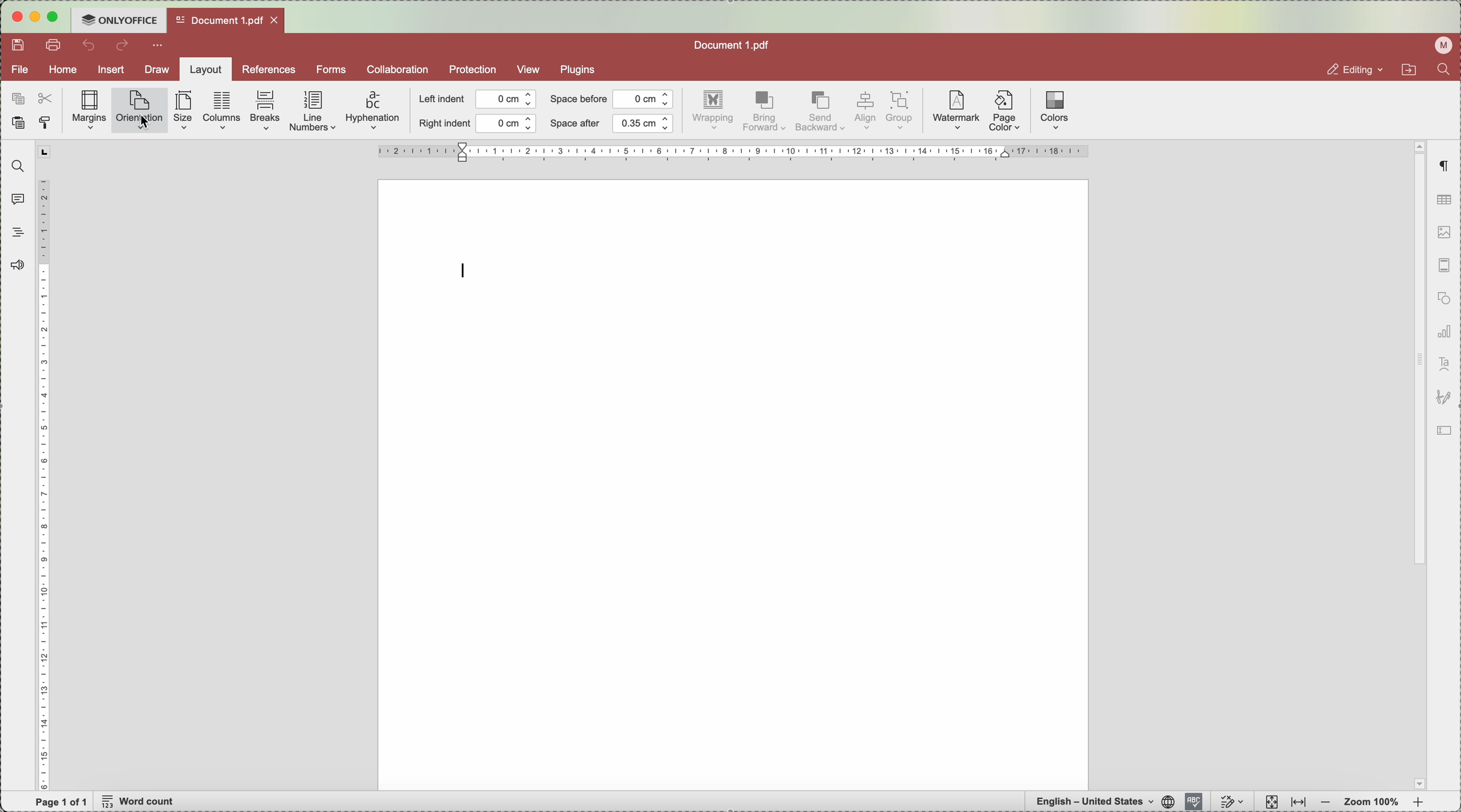 The image size is (1461, 812). What do you see at coordinates (1232, 802) in the screenshot?
I see `track changes` at bounding box center [1232, 802].